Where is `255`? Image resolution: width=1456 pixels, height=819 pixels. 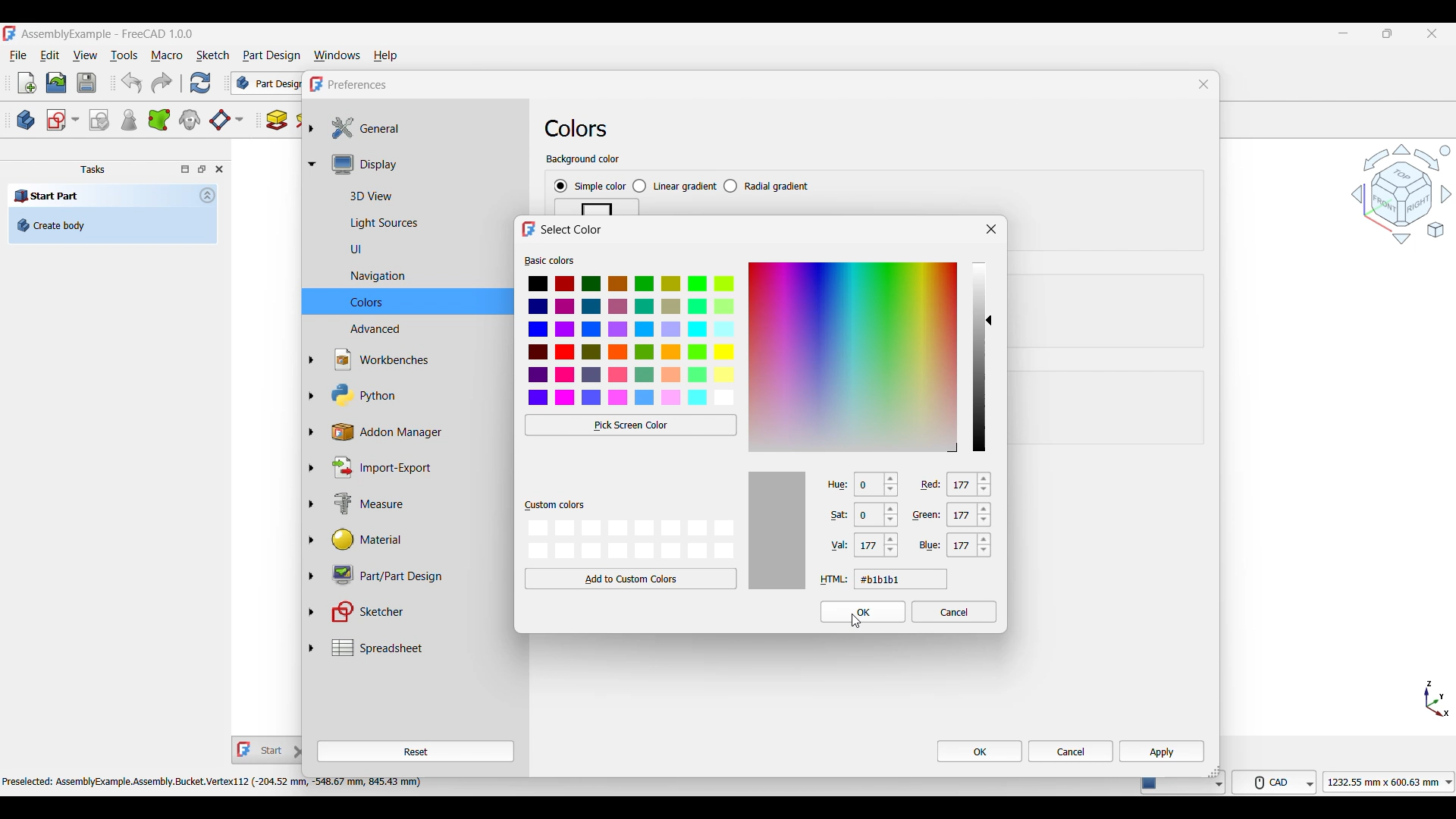
255 is located at coordinates (975, 485).